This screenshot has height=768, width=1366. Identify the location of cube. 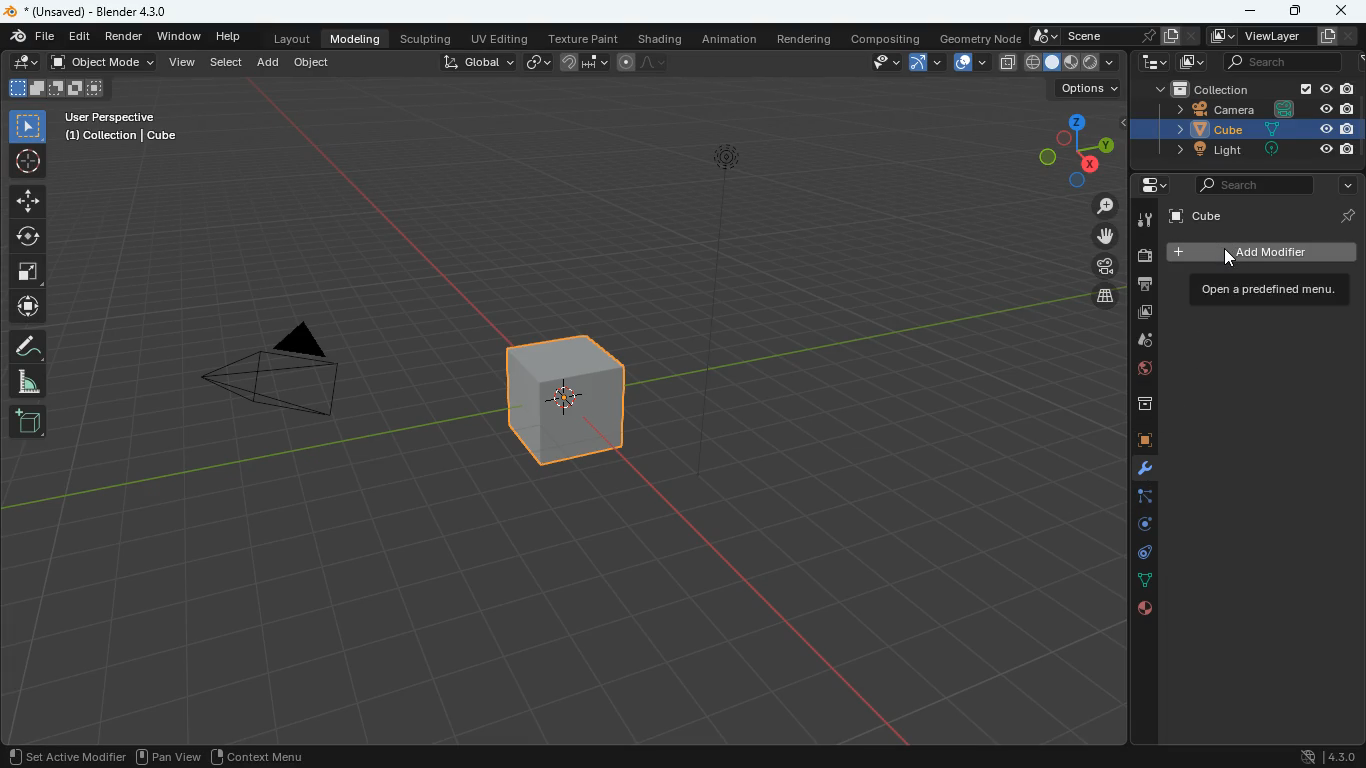
(1246, 215).